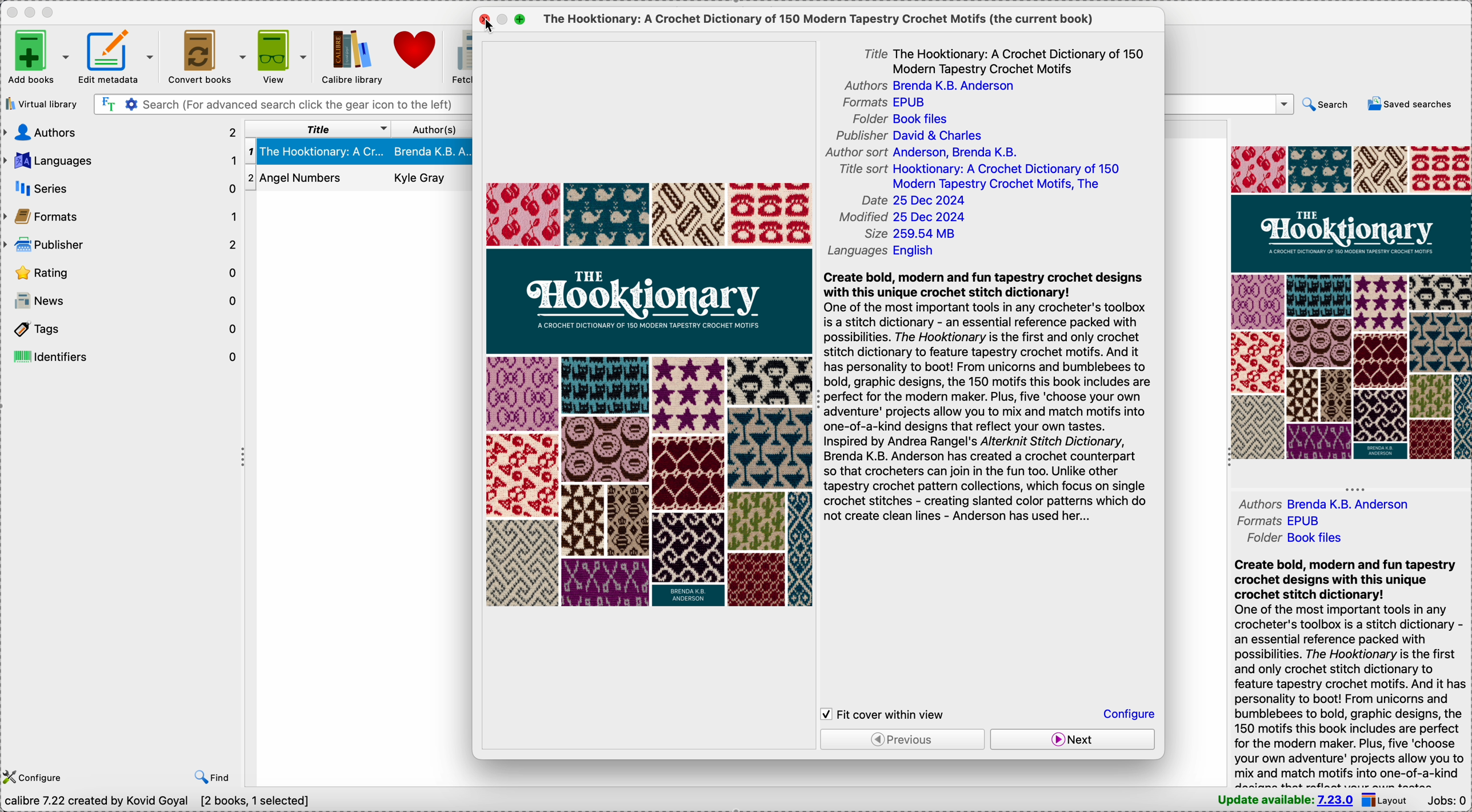  What do you see at coordinates (351, 56) in the screenshot?
I see `Calibre library` at bounding box center [351, 56].